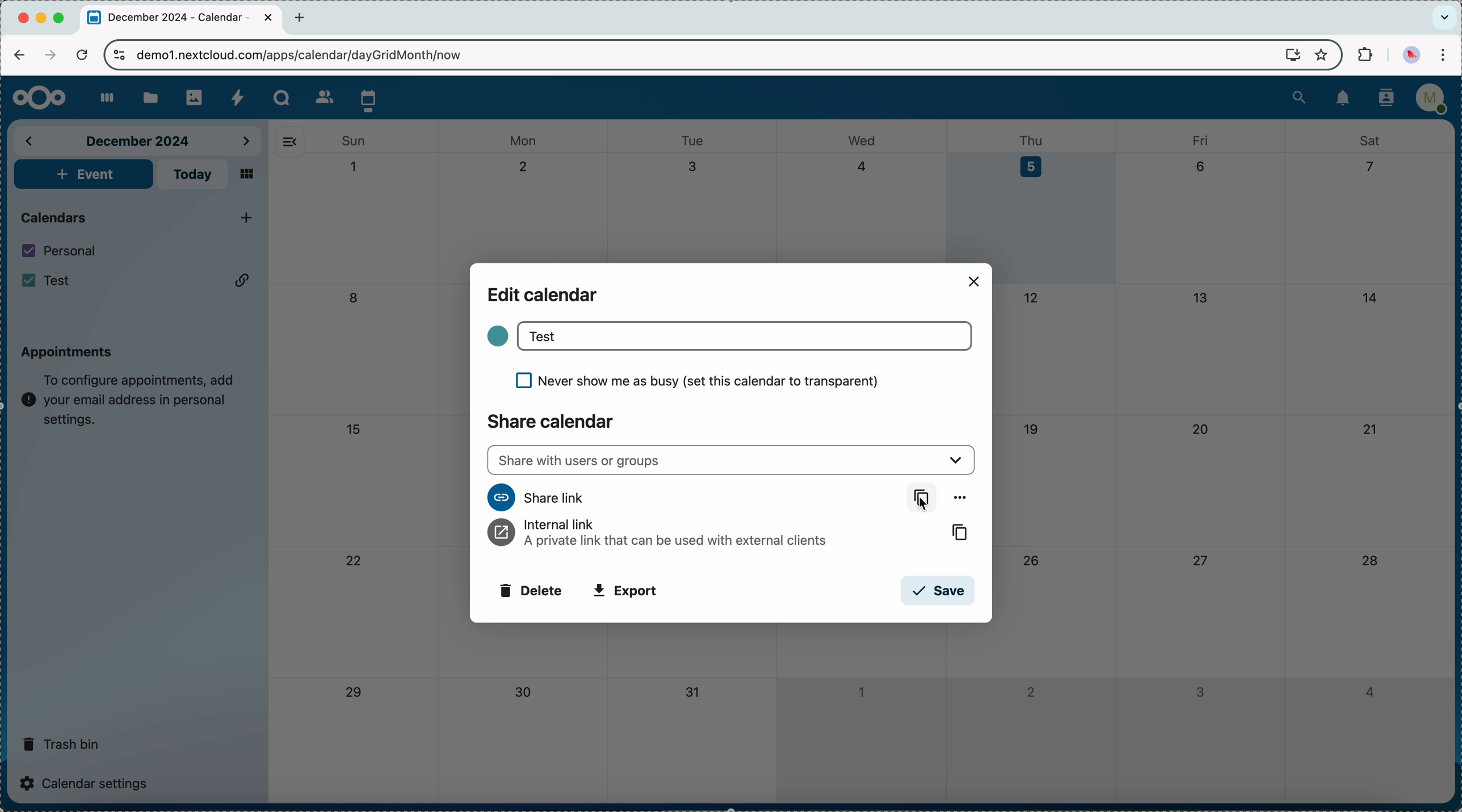 Image resolution: width=1462 pixels, height=812 pixels. Describe the element at coordinates (102, 99) in the screenshot. I see `dashboard` at that location.